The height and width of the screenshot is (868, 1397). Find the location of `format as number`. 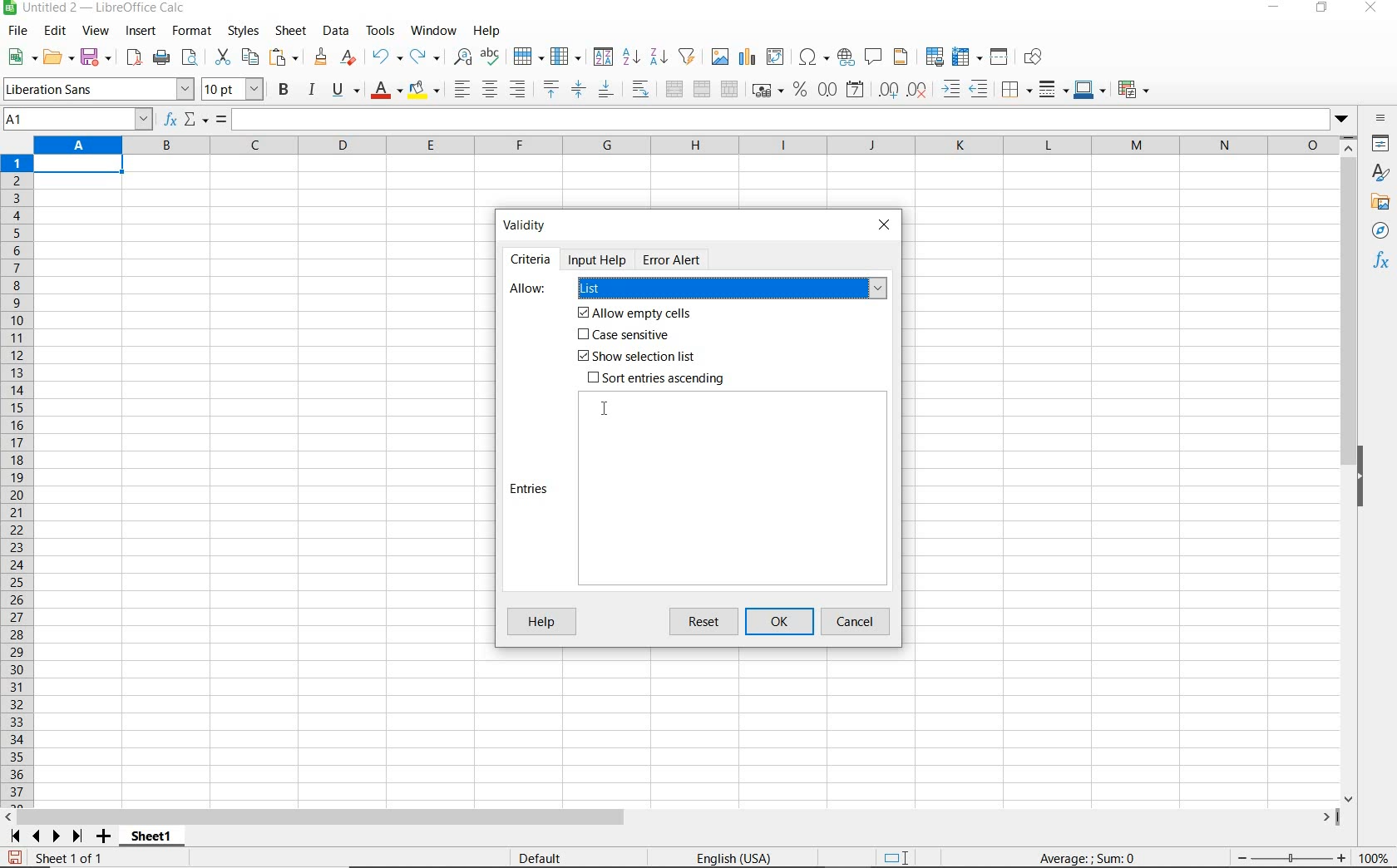

format as number is located at coordinates (827, 89).